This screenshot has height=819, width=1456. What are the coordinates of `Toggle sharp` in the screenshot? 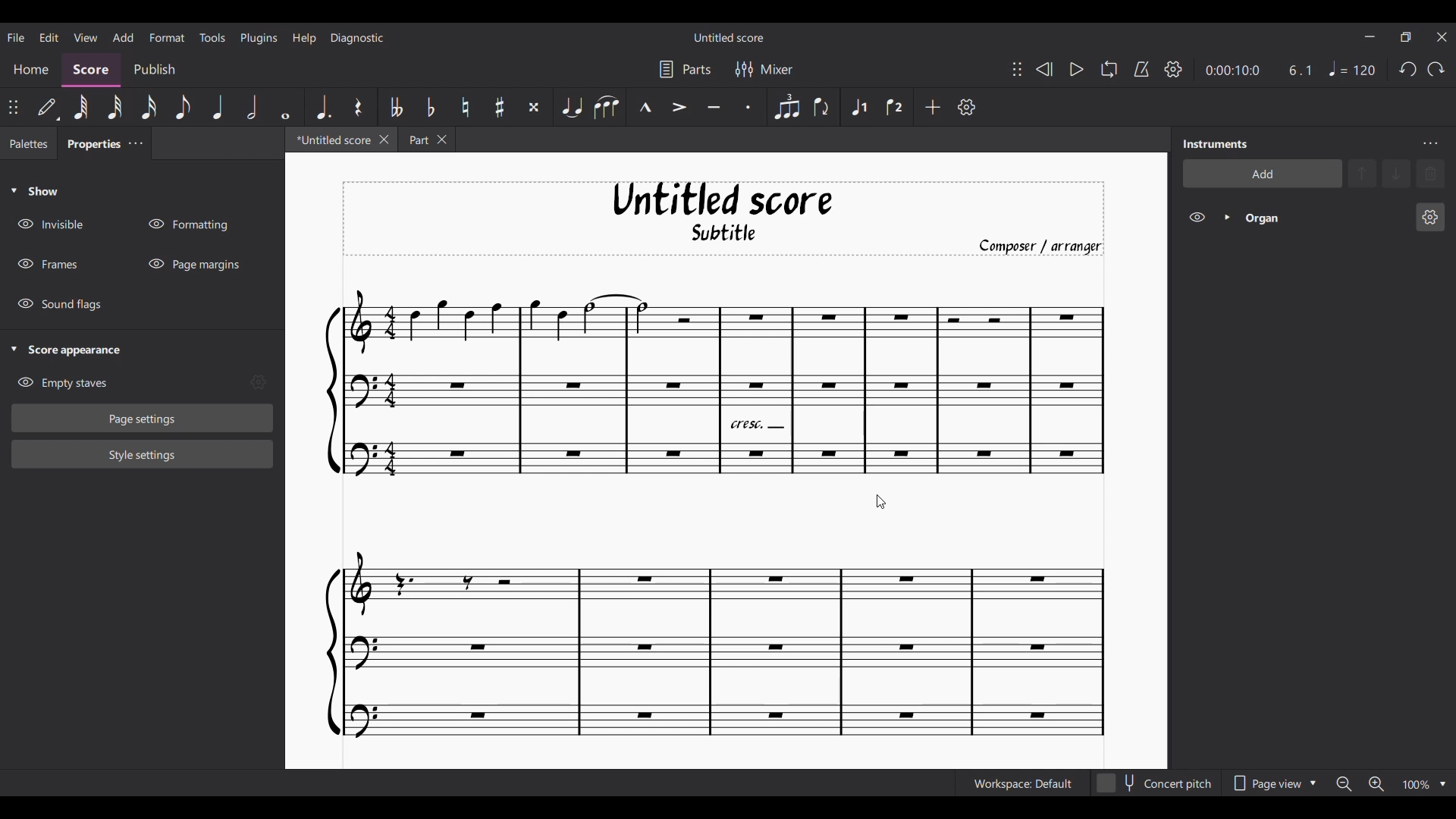 It's located at (499, 108).